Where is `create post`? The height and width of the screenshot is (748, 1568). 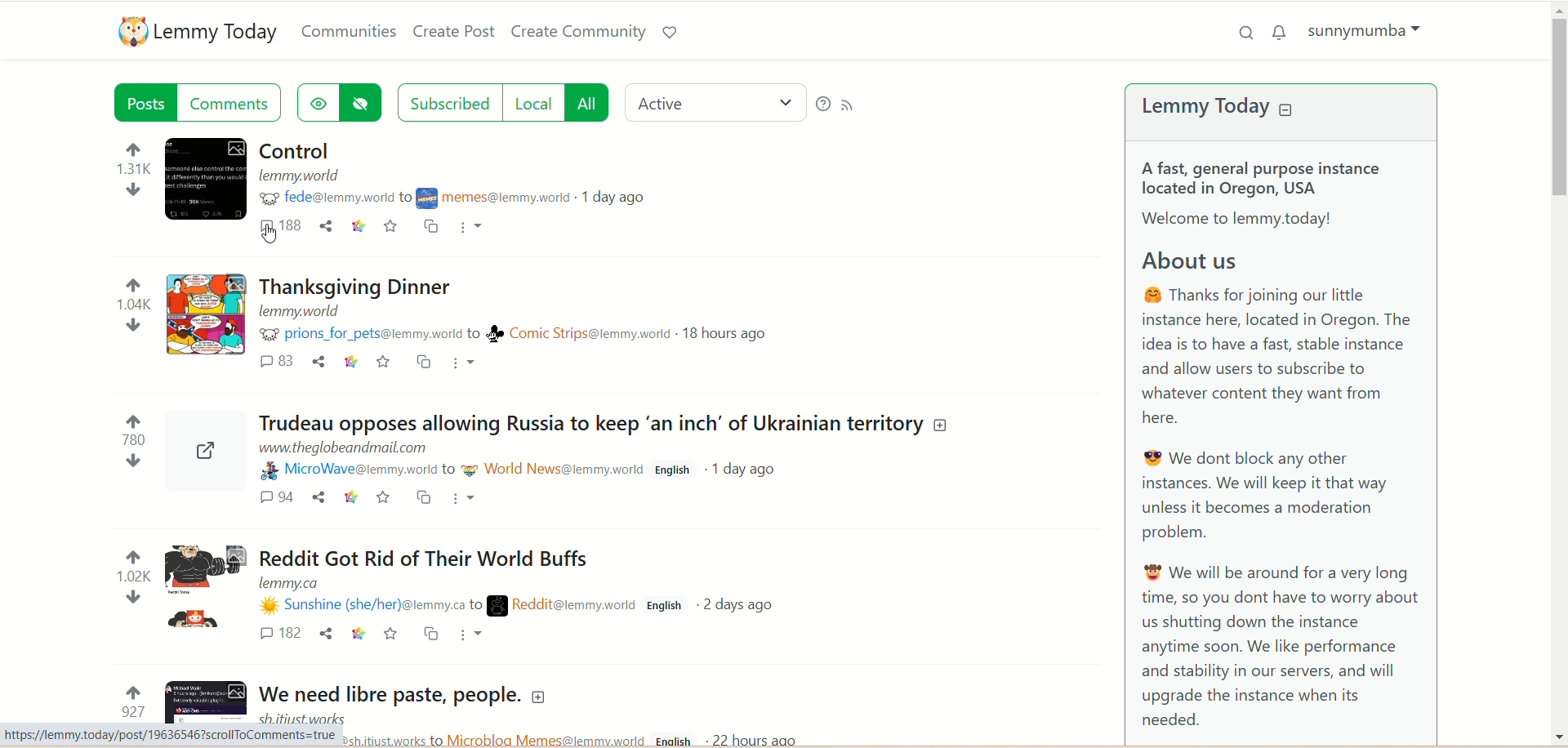 create post is located at coordinates (455, 35).